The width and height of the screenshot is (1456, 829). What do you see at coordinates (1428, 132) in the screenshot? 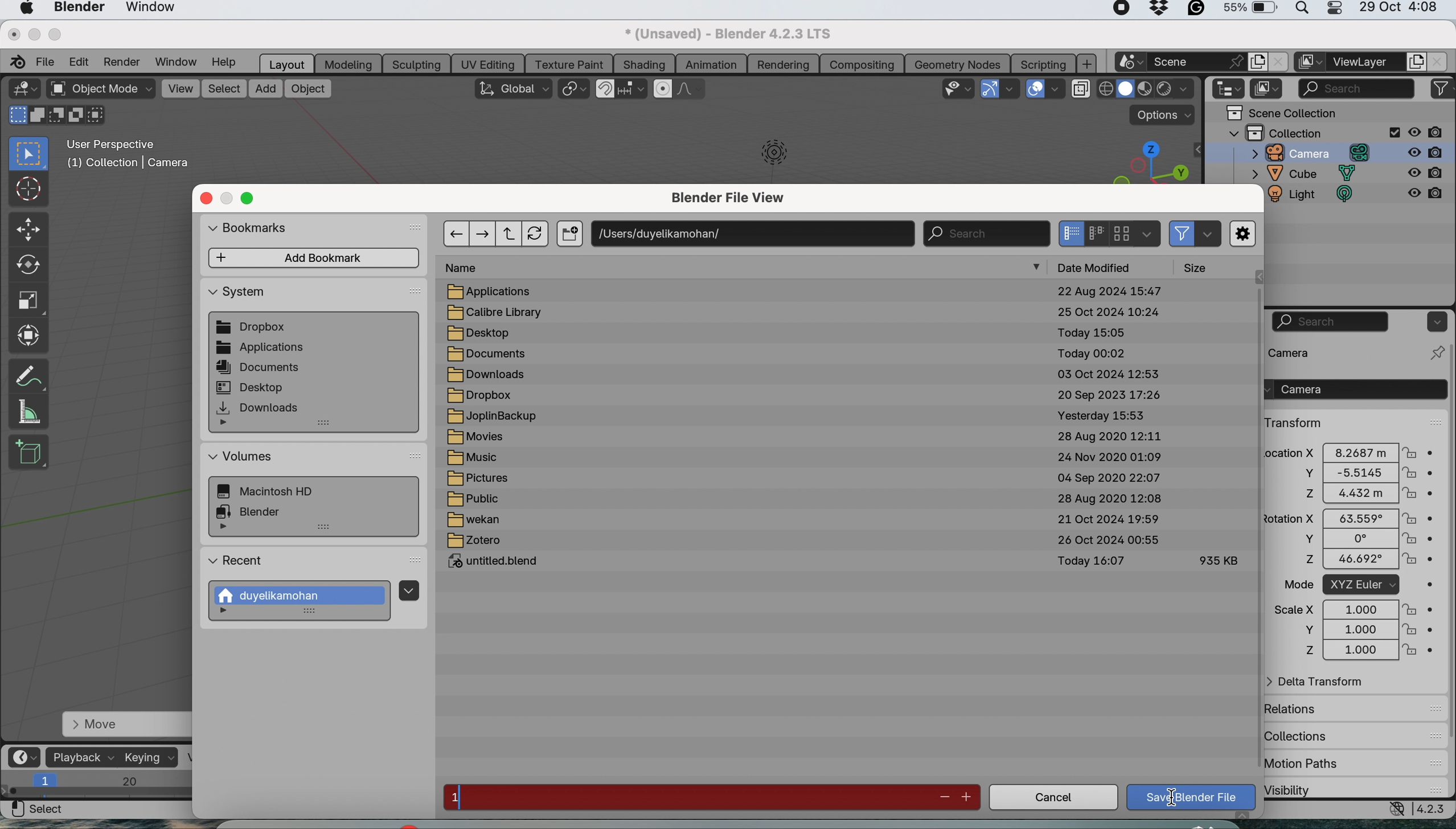
I see `disable in renders` at bounding box center [1428, 132].